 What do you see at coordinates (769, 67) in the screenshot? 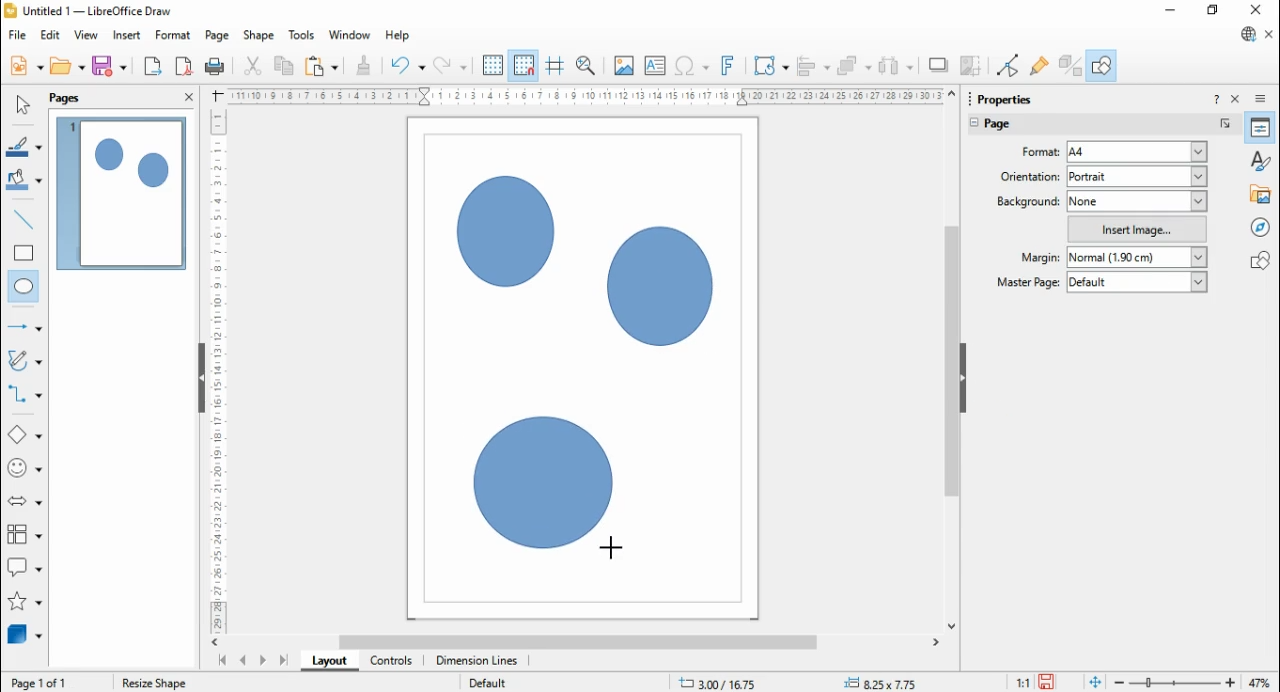
I see `transformations` at bounding box center [769, 67].